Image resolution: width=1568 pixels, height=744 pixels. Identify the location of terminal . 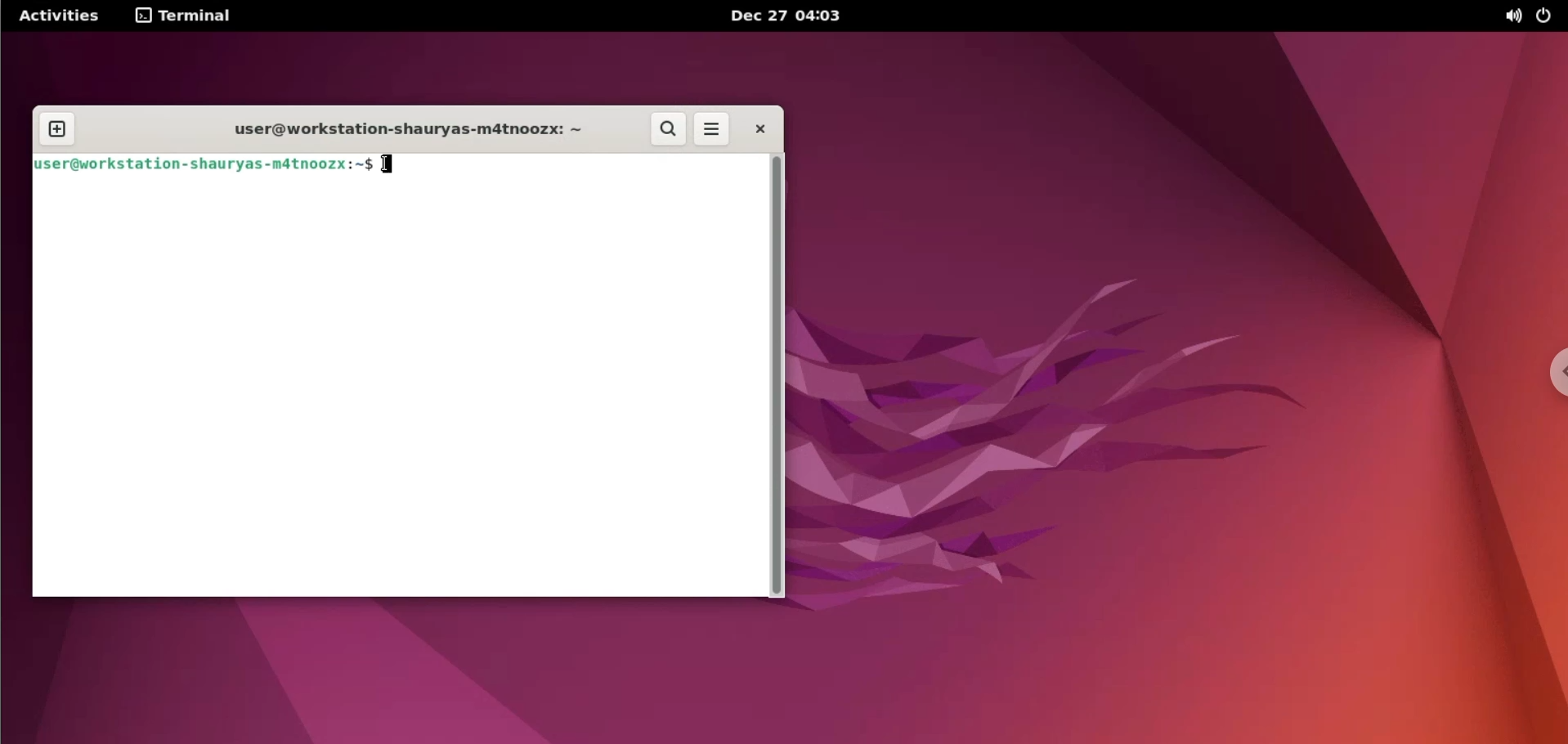
(186, 17).